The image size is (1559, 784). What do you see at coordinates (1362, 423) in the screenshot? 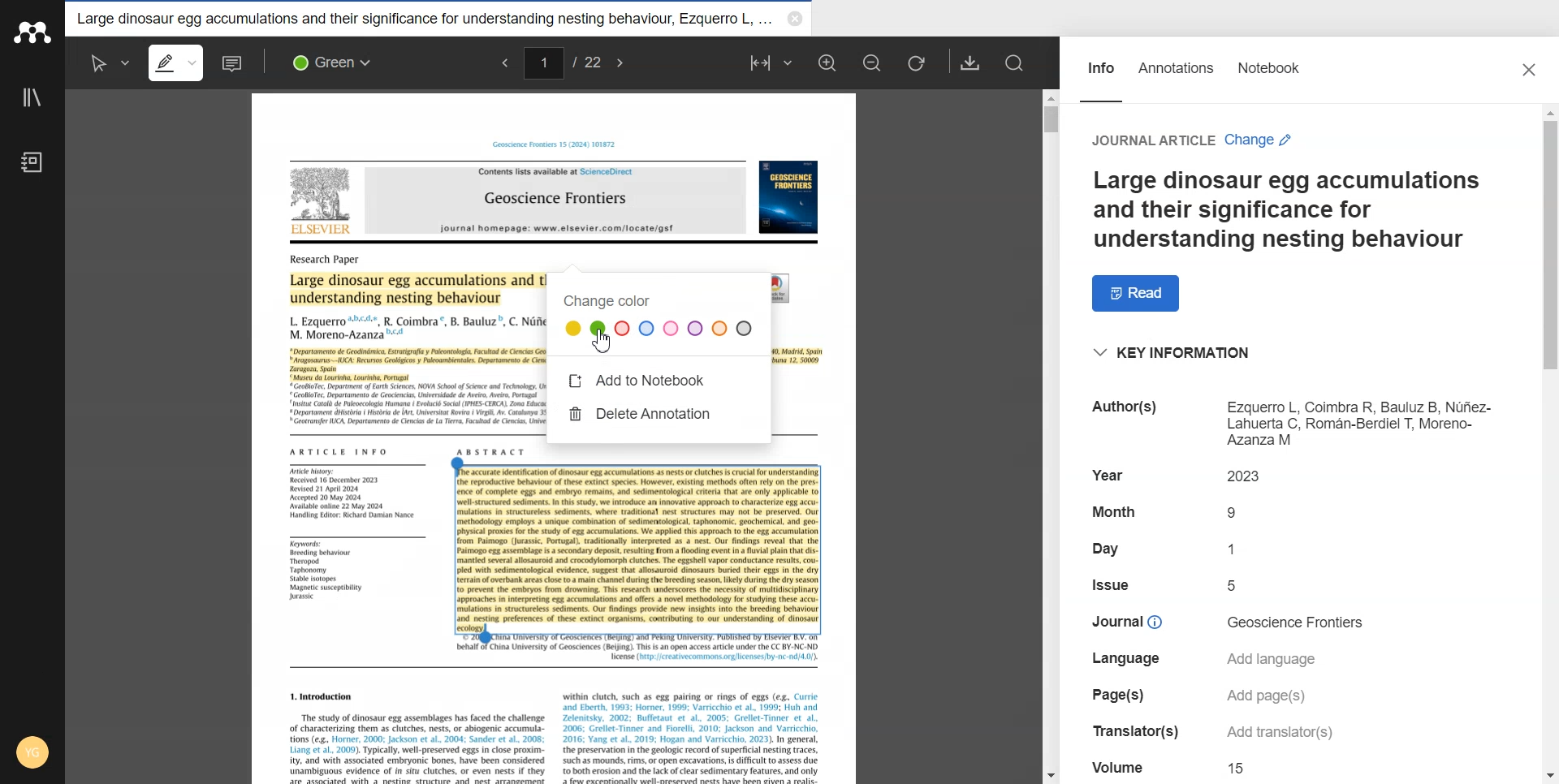
I see `text` at bounding box center [1362, 423].